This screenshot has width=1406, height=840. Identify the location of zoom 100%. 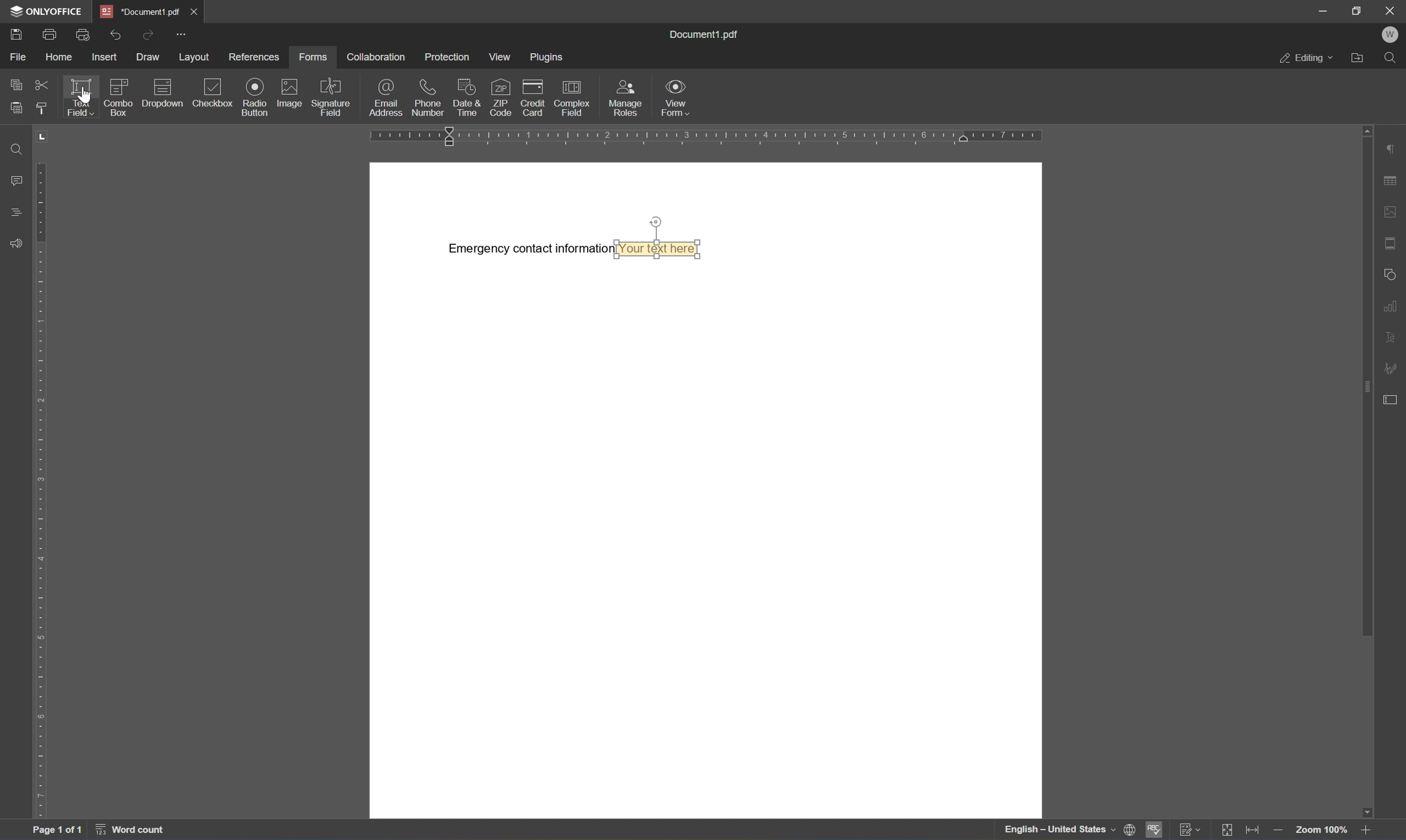
(1326, 831).